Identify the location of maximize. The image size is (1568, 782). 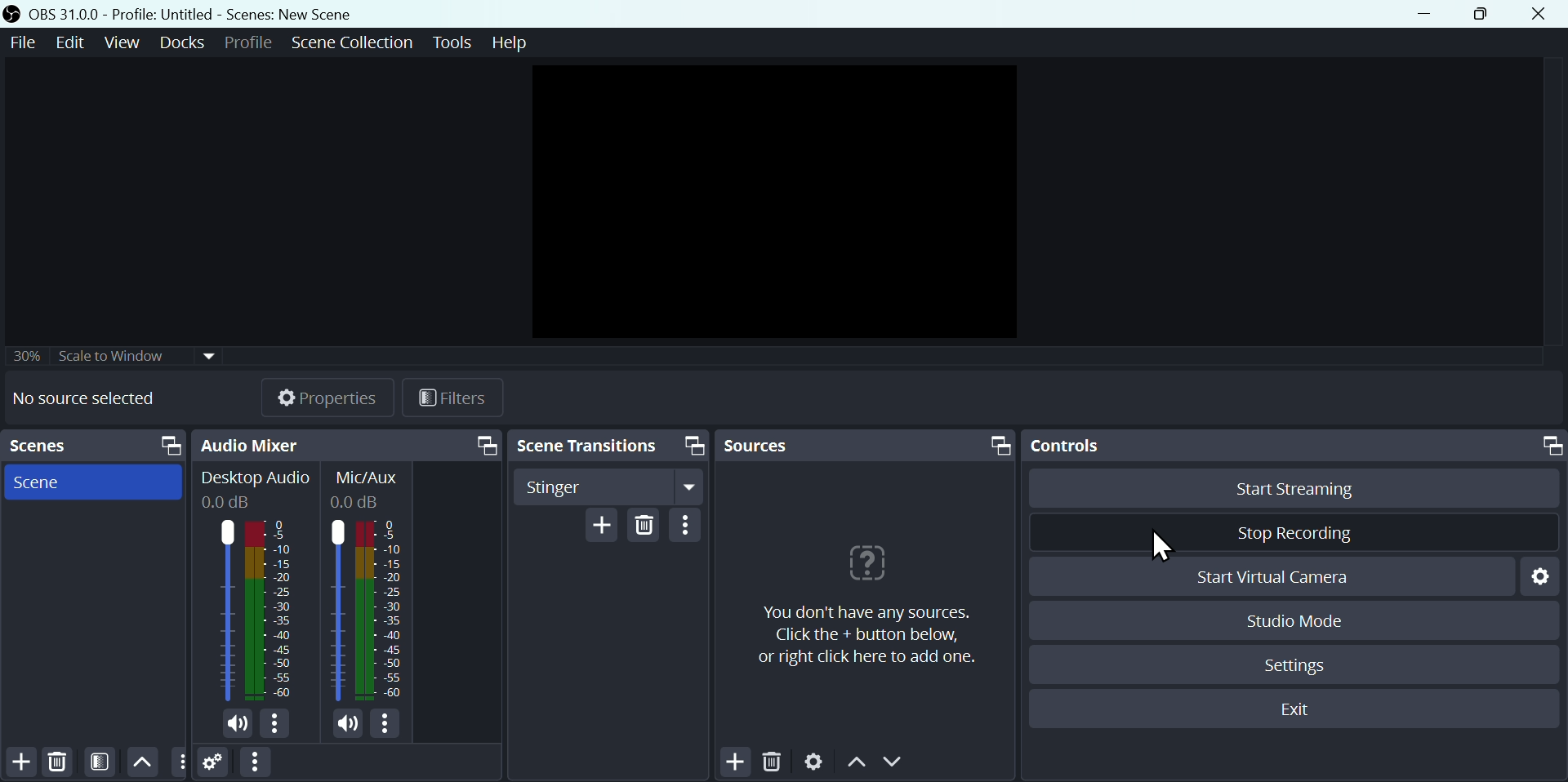
(1001, 445).